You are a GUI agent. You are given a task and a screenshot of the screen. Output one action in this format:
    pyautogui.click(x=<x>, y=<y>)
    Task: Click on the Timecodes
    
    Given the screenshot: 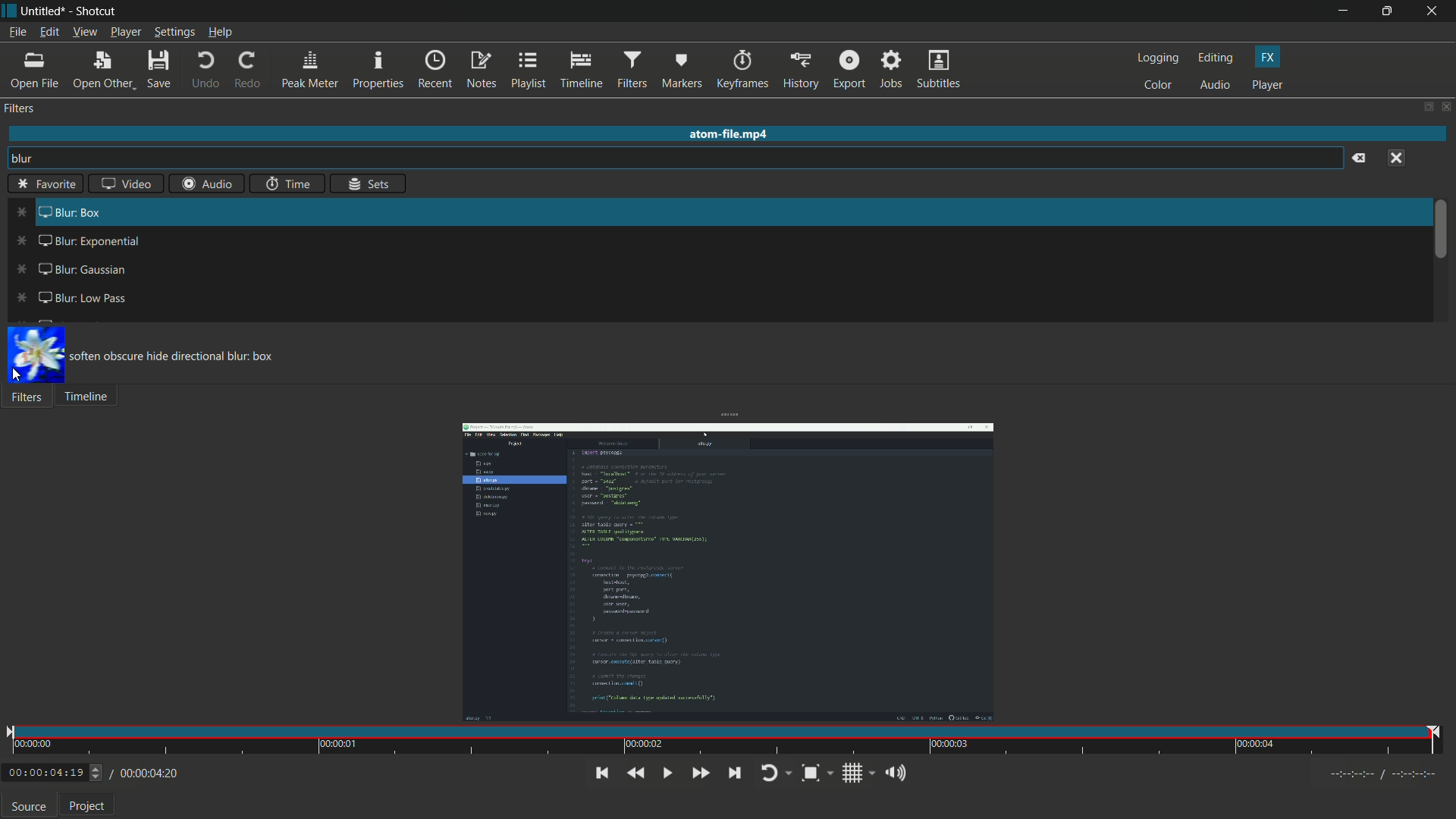 What is the action you would take?
    pyautogui.click(x=1376, y=777)
    